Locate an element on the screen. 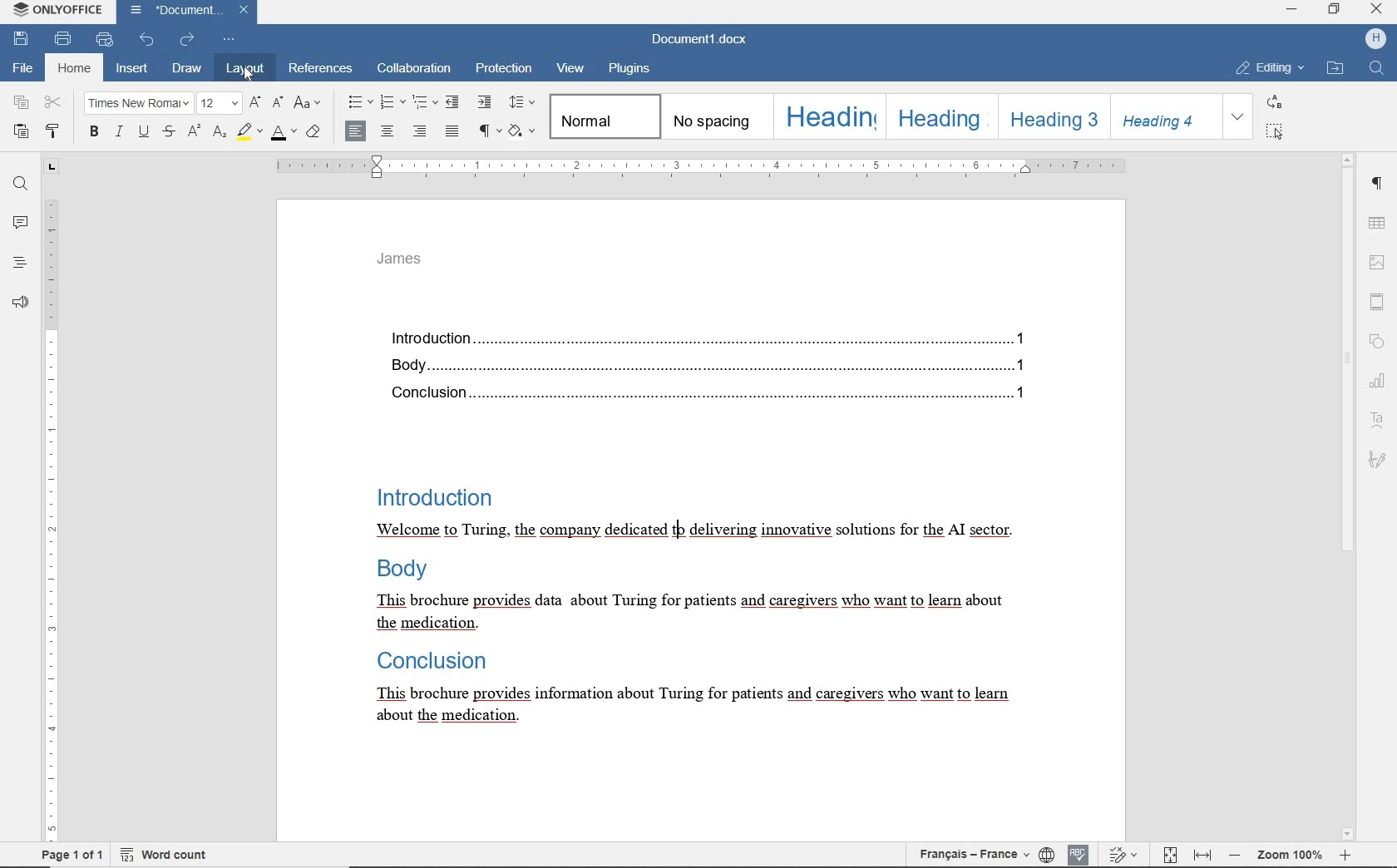  SELECT ALL is located at coordinates (1276, 131).